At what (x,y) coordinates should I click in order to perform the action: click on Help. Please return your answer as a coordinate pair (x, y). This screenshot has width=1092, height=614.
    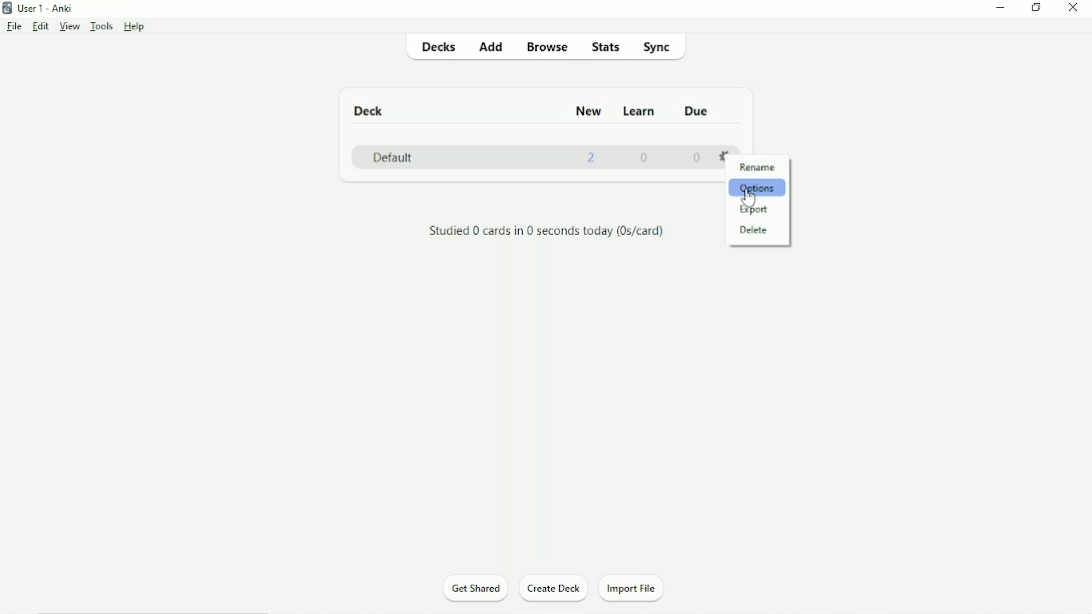
    Looking at the image, I should click on (135, 27).